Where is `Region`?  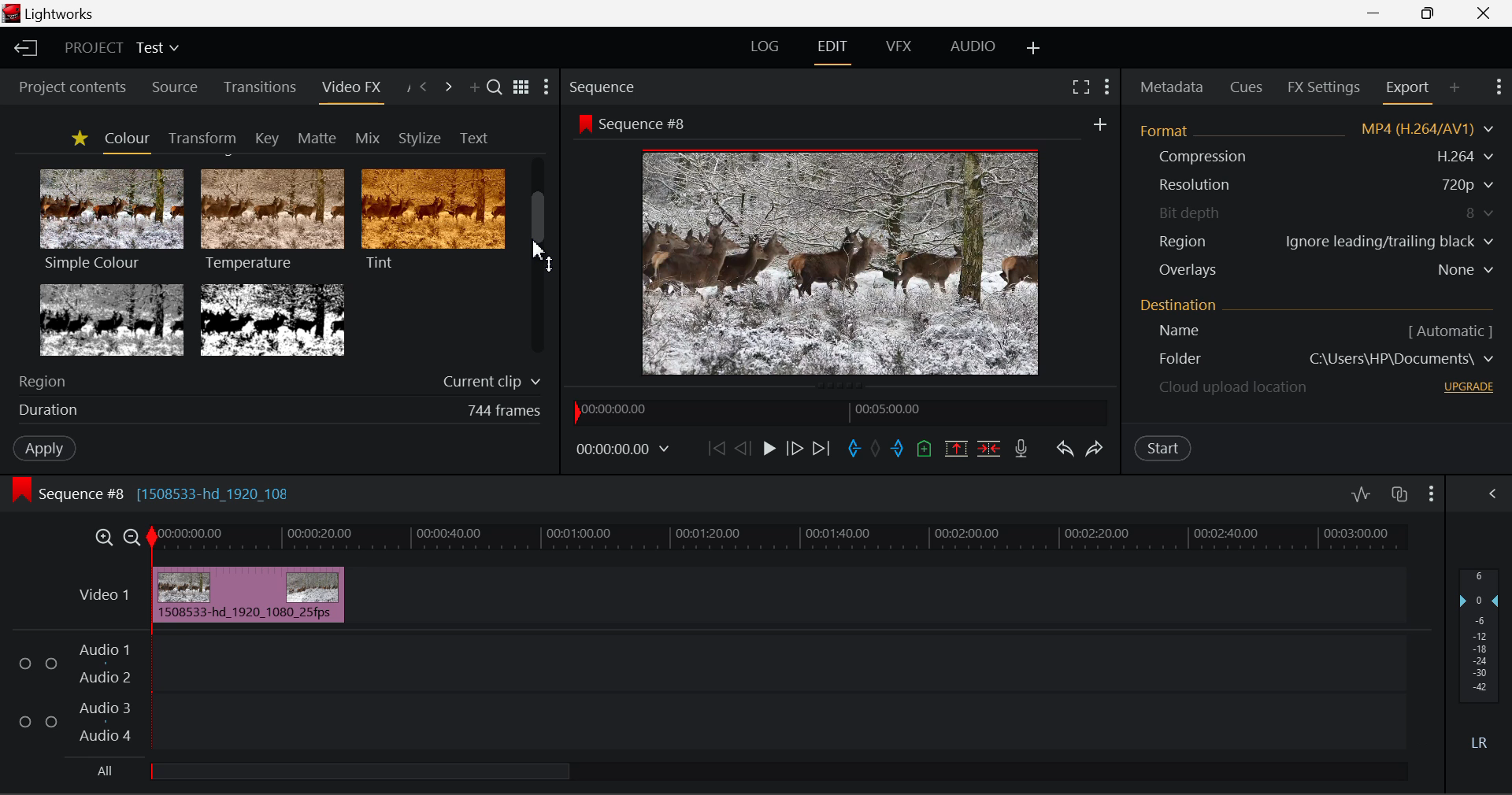 Region is located at coordinates (46, 380).